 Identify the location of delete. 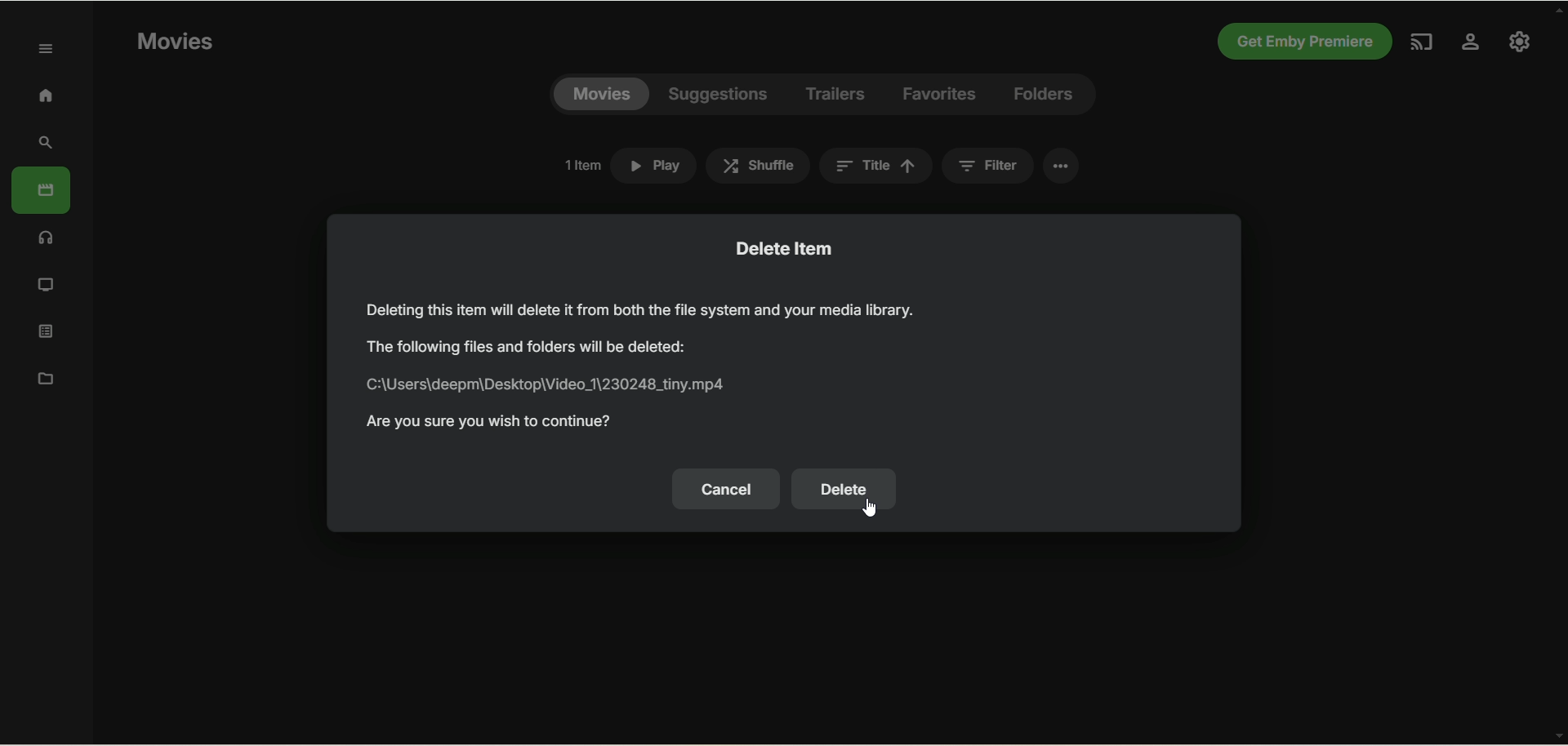
(844, 490).